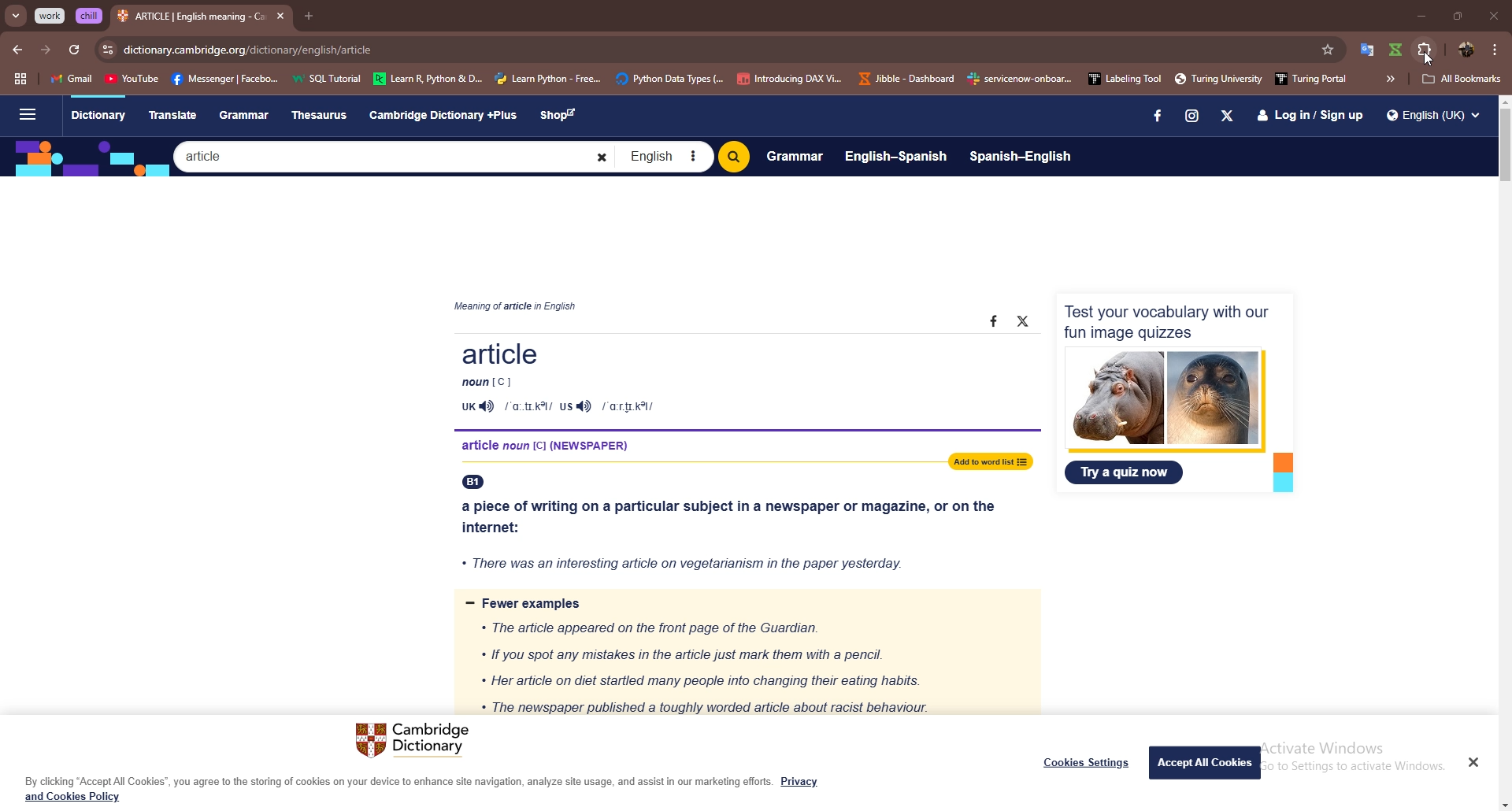 Image resolution: width=1512 pixels, height=811 pixels. Describe the element at coordinates (733, 379) in the screenshot. I see `Article` at that location.